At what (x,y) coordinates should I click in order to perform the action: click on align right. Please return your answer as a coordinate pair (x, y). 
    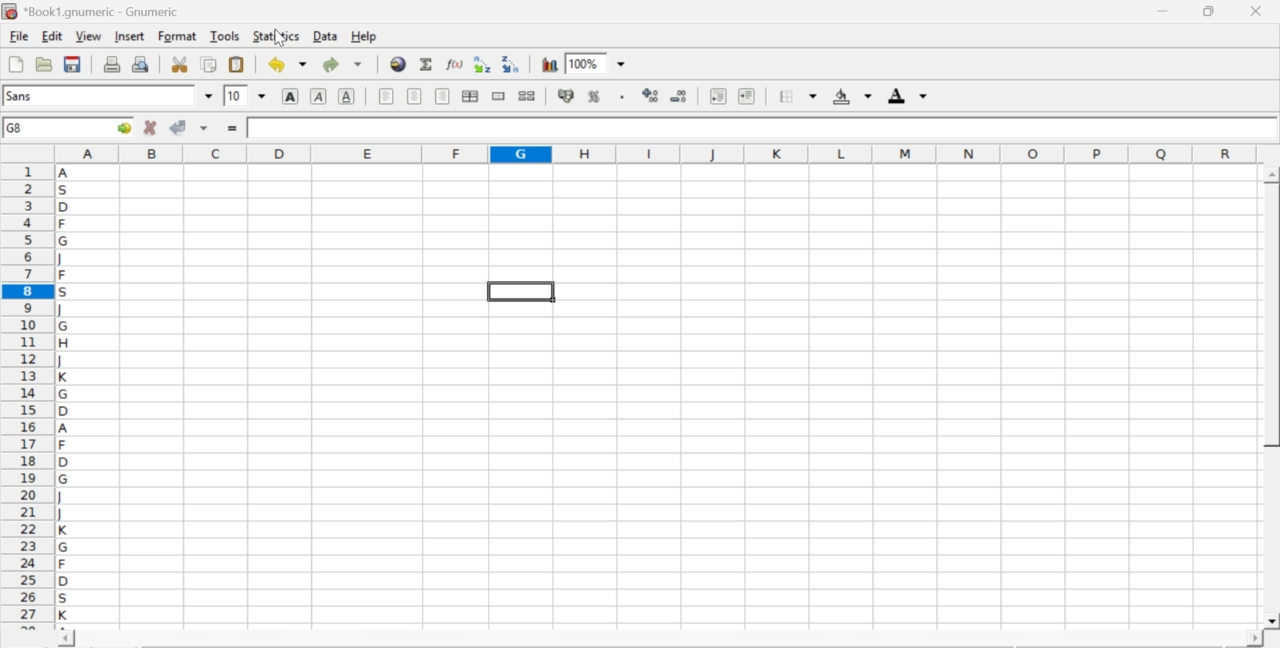
    Looking at the image, I should click on (442, 97).